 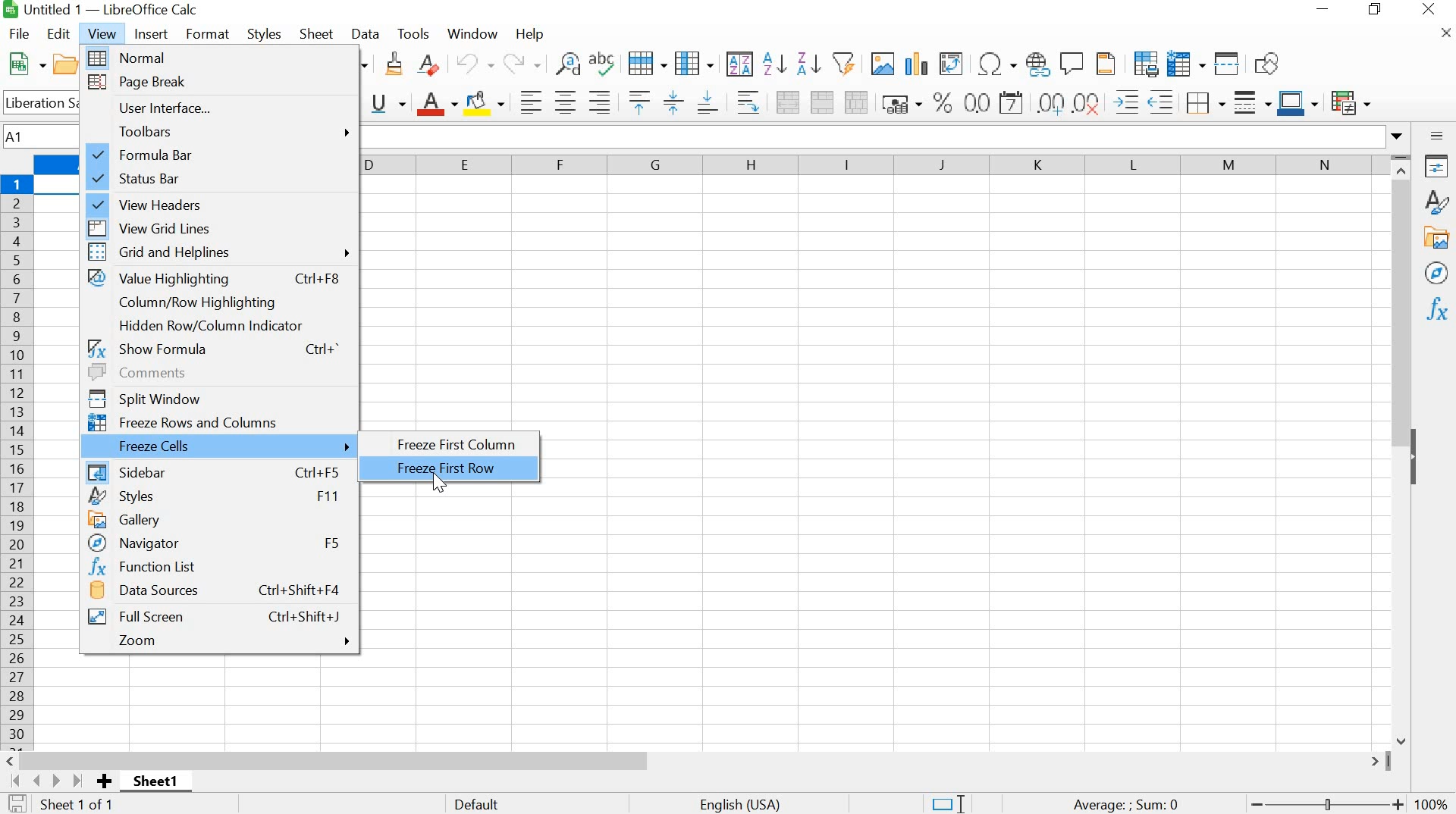 What do you see at coordinates (219, 178) in the screenshot?
I see `STATUS BAR` at bounding box center [219, 178].